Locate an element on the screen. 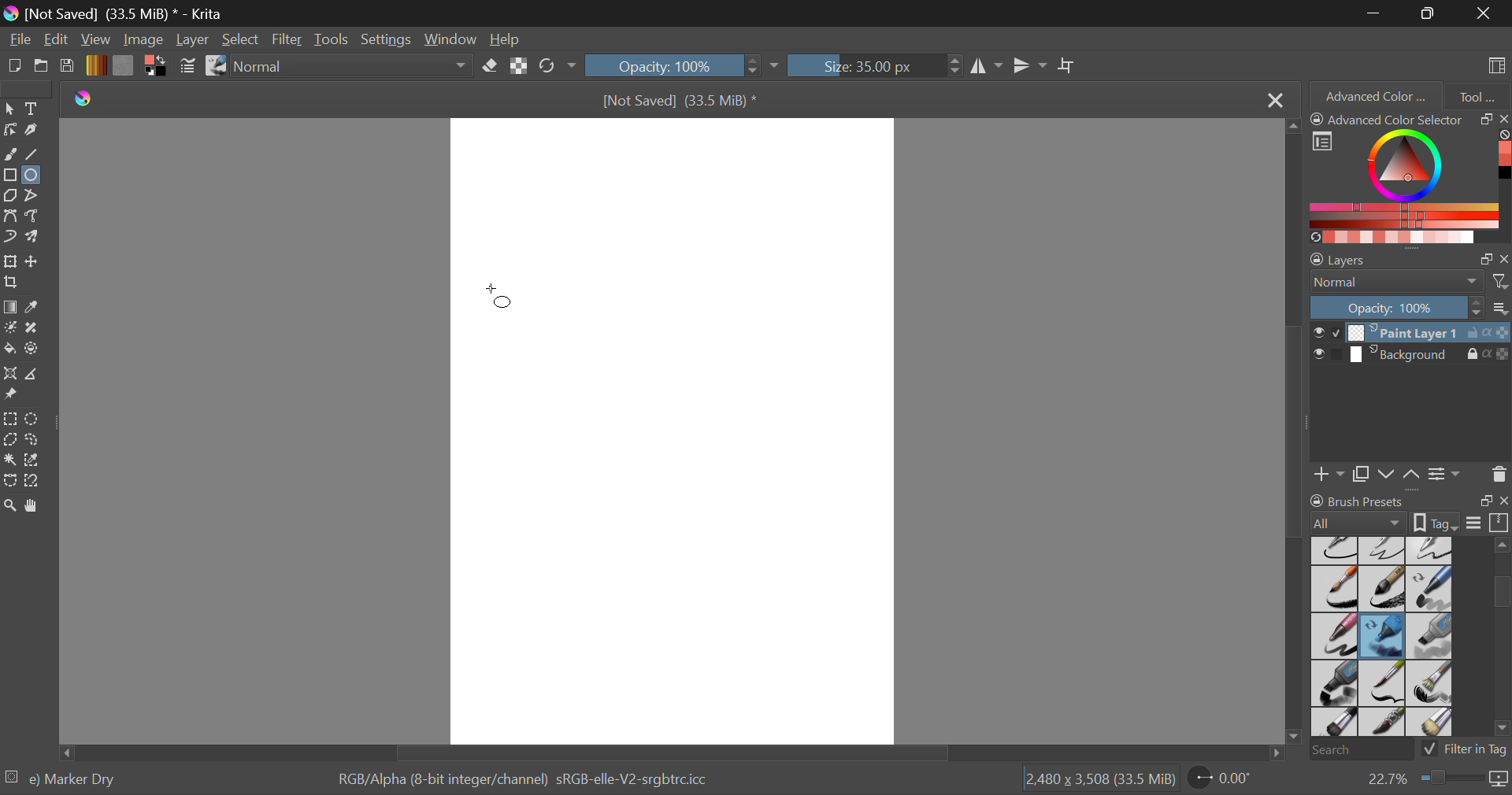  Settings is located at coordinates (1444, 473).